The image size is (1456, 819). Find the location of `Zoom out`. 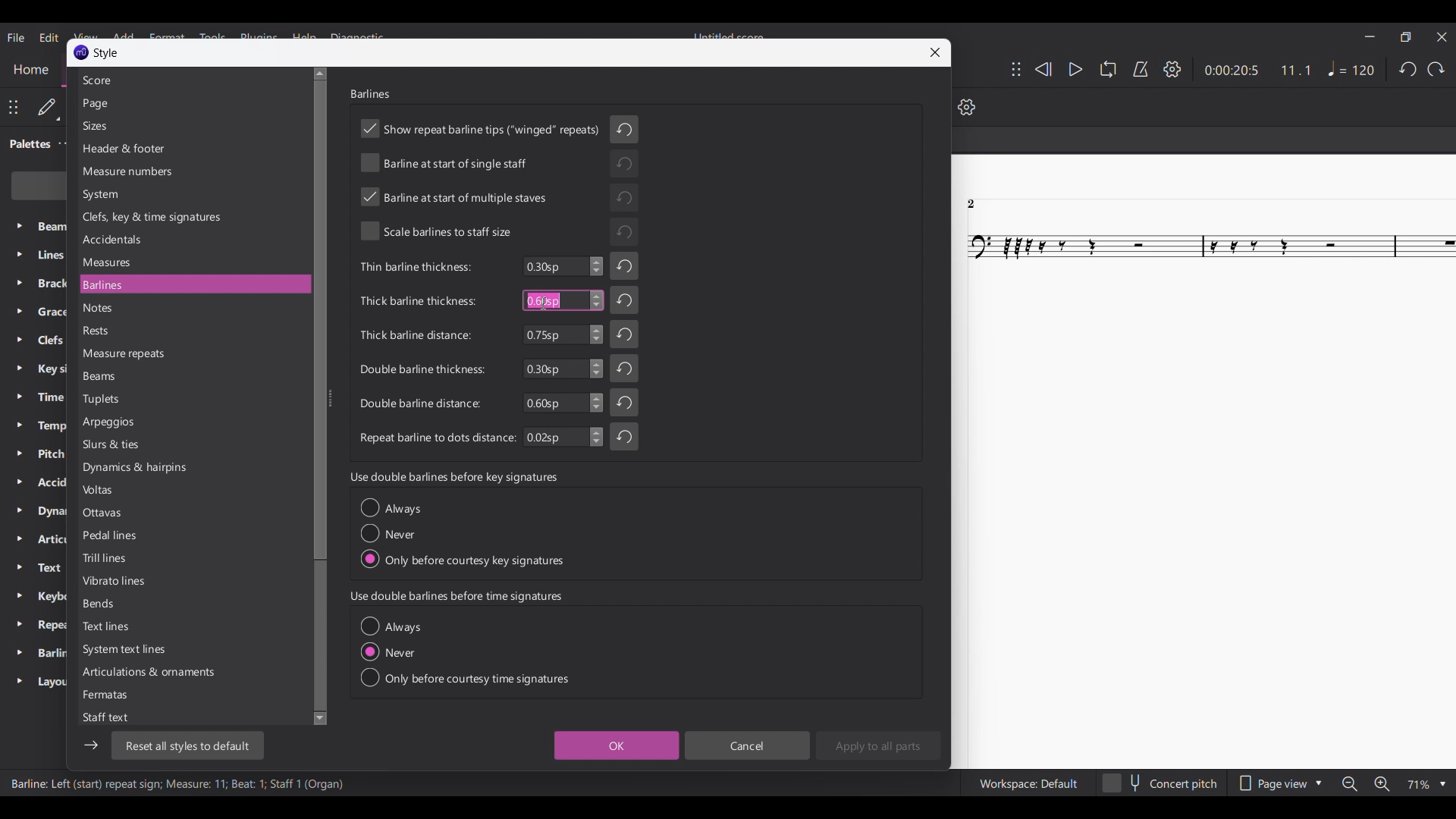

Zoom out is located at coordinates (1350, 784).